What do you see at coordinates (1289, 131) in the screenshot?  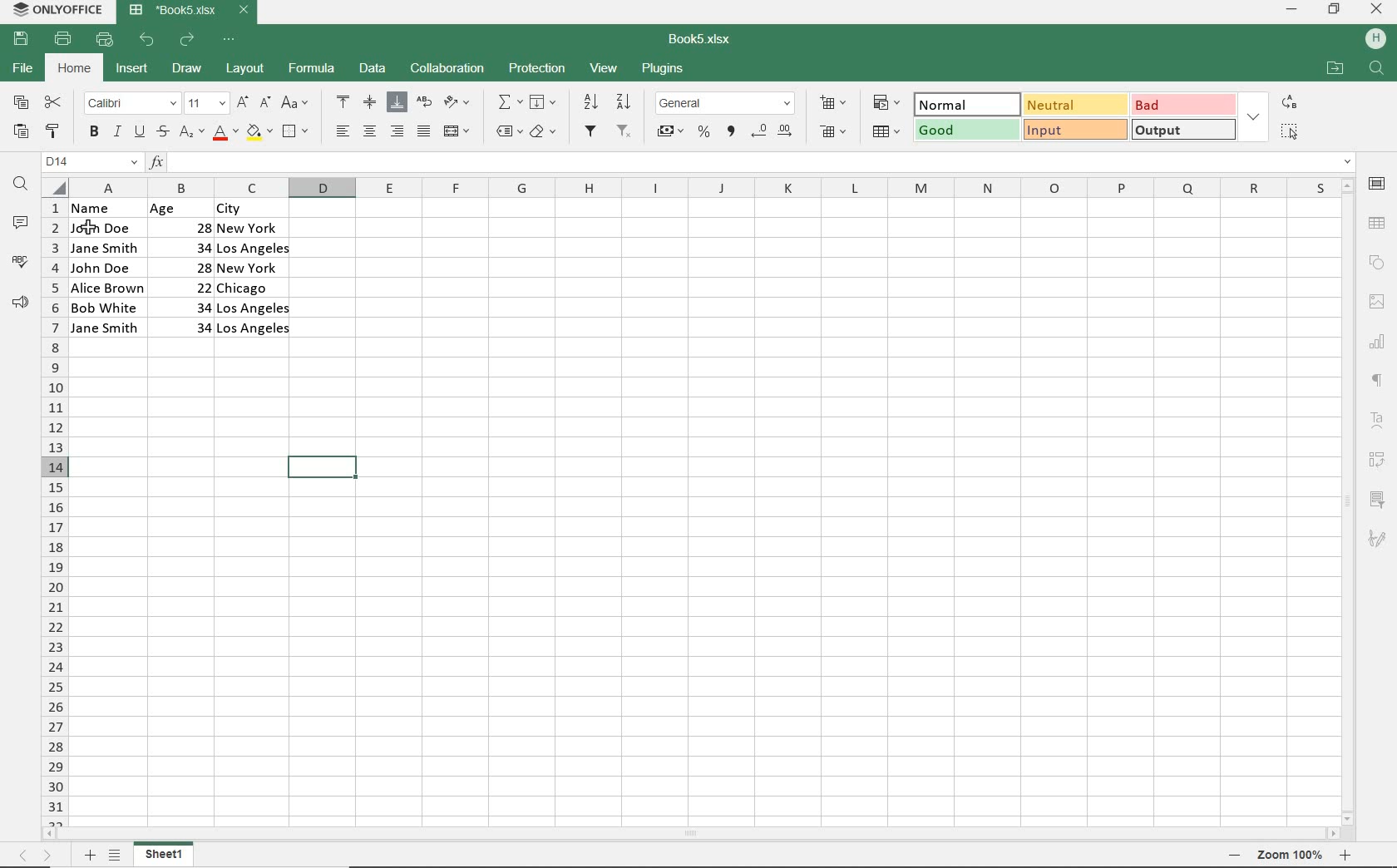 I see `SELECT ALL` at bounding box center [1289, 131].